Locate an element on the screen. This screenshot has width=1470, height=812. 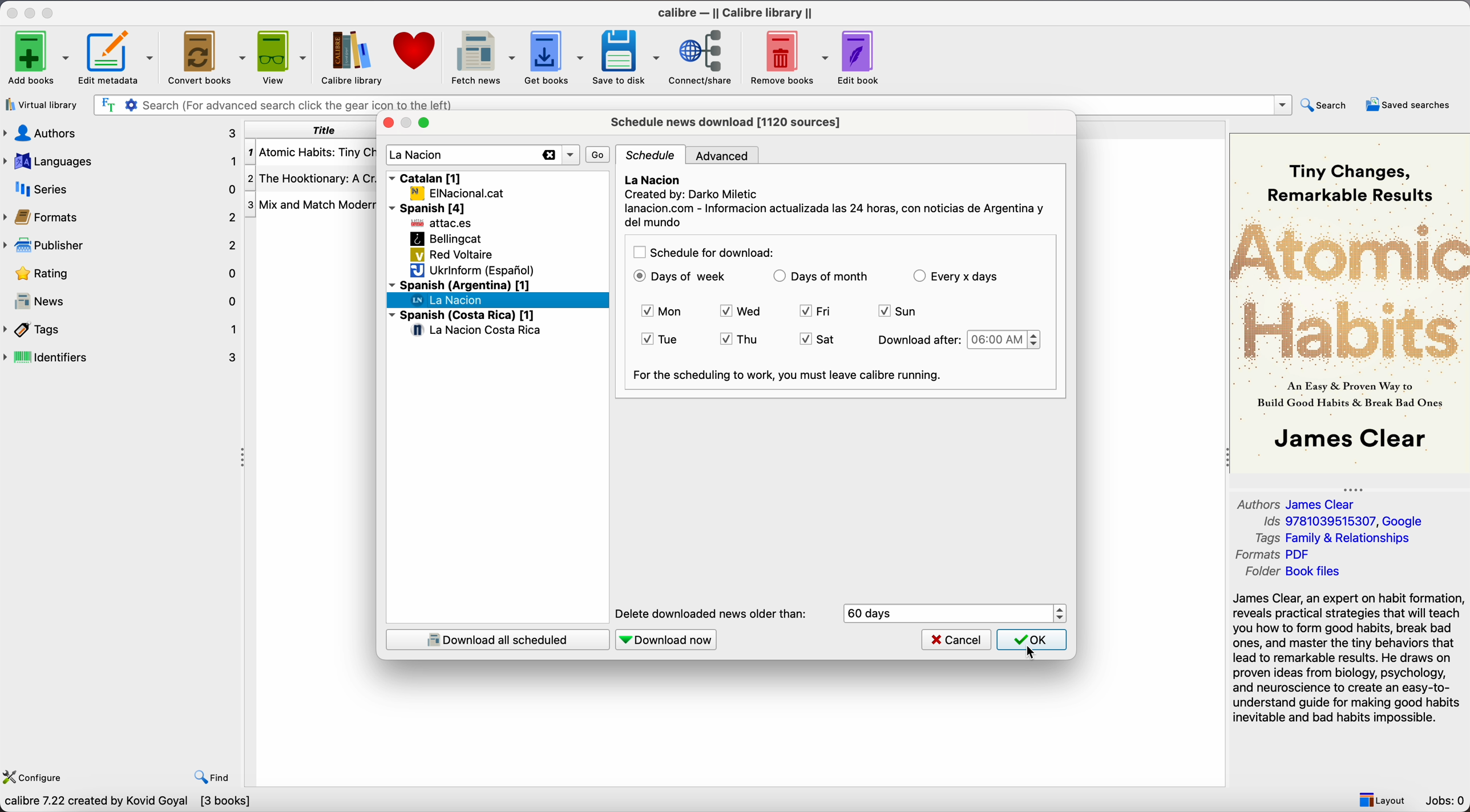
tue is located at coordinates (663, 340).